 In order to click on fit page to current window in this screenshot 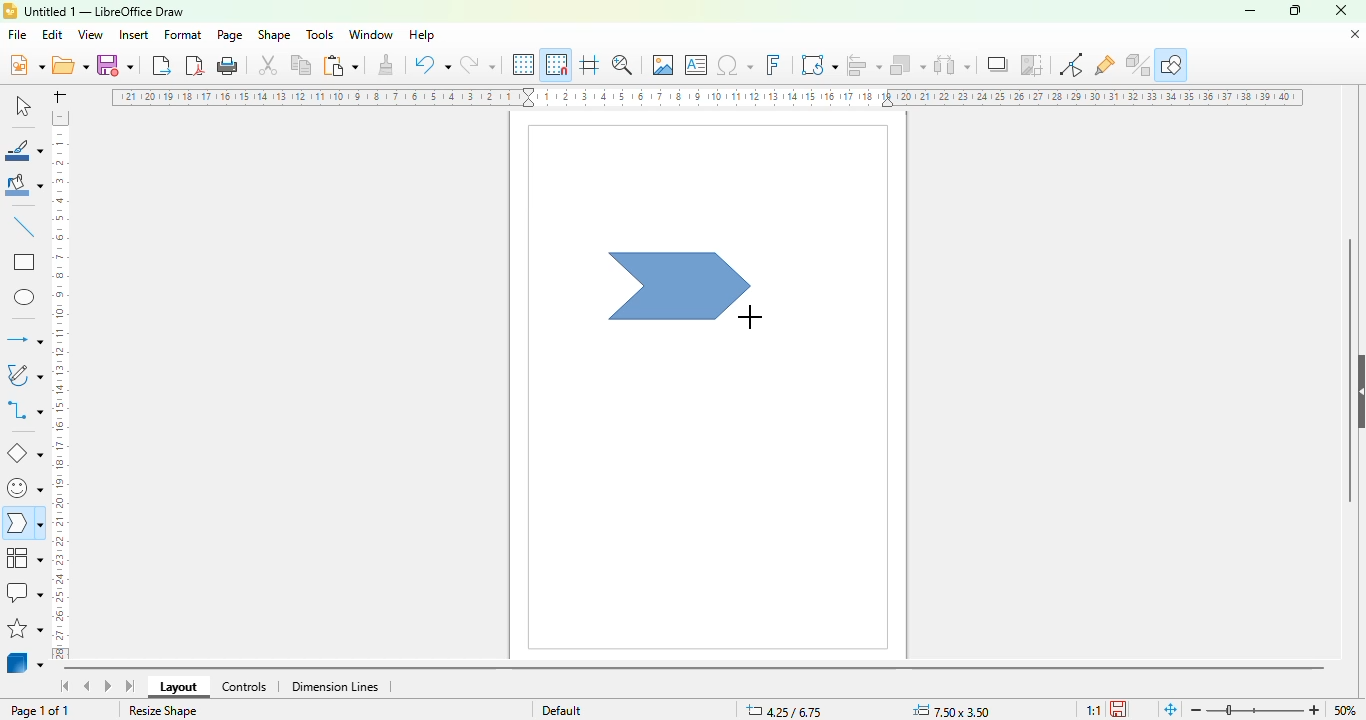, I will do `click(1171, 710)`.